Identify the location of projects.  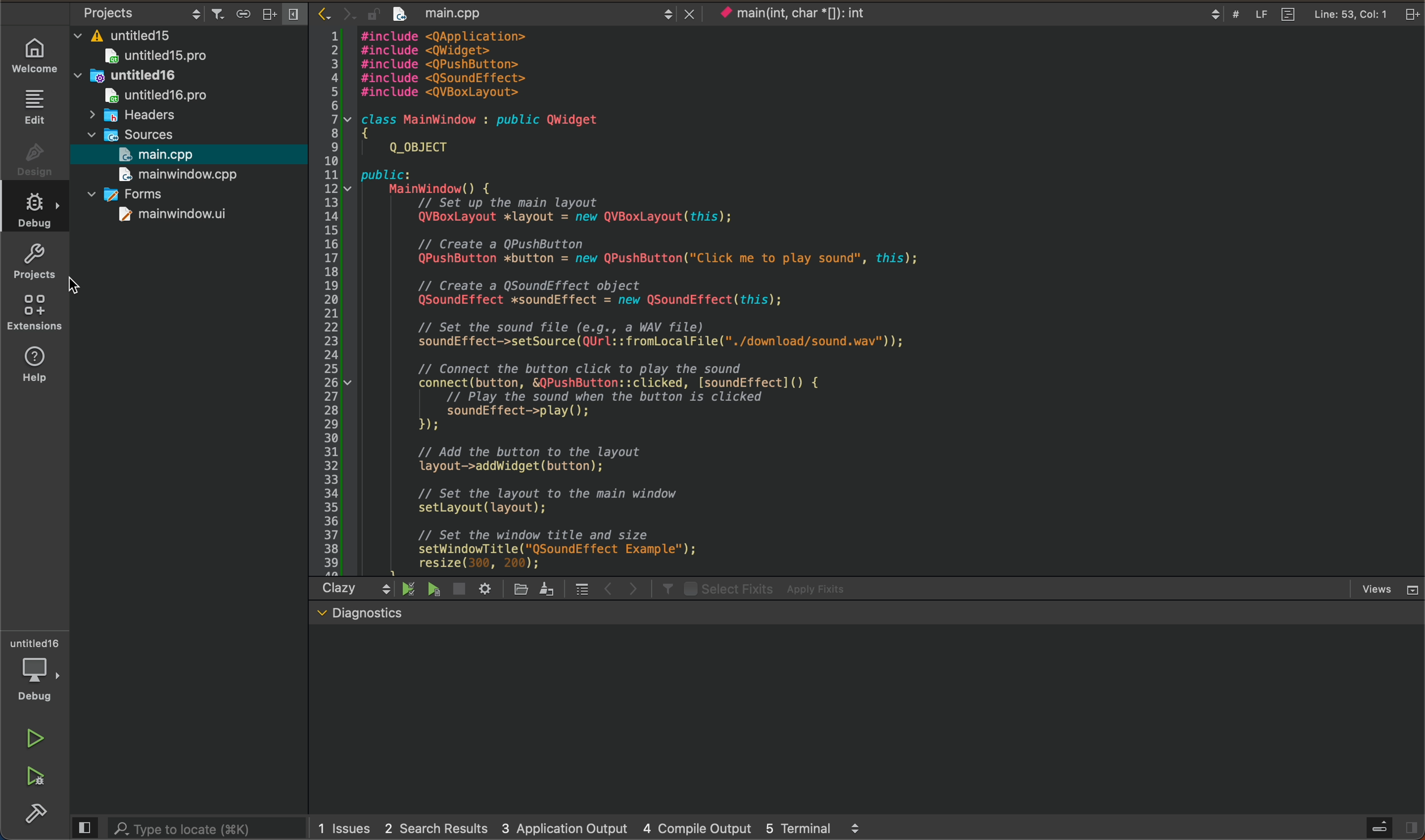
(110, 12).